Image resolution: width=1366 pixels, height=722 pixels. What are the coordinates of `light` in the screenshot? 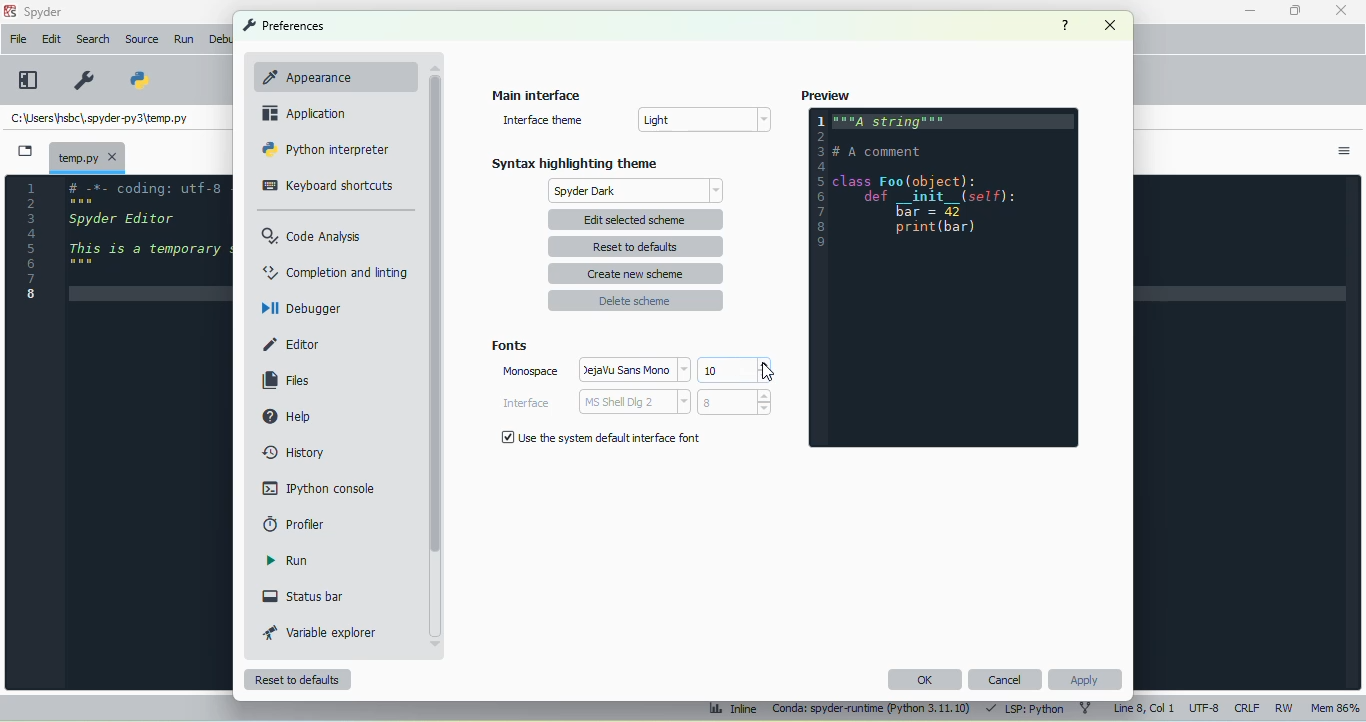 It's located at (703, 119).